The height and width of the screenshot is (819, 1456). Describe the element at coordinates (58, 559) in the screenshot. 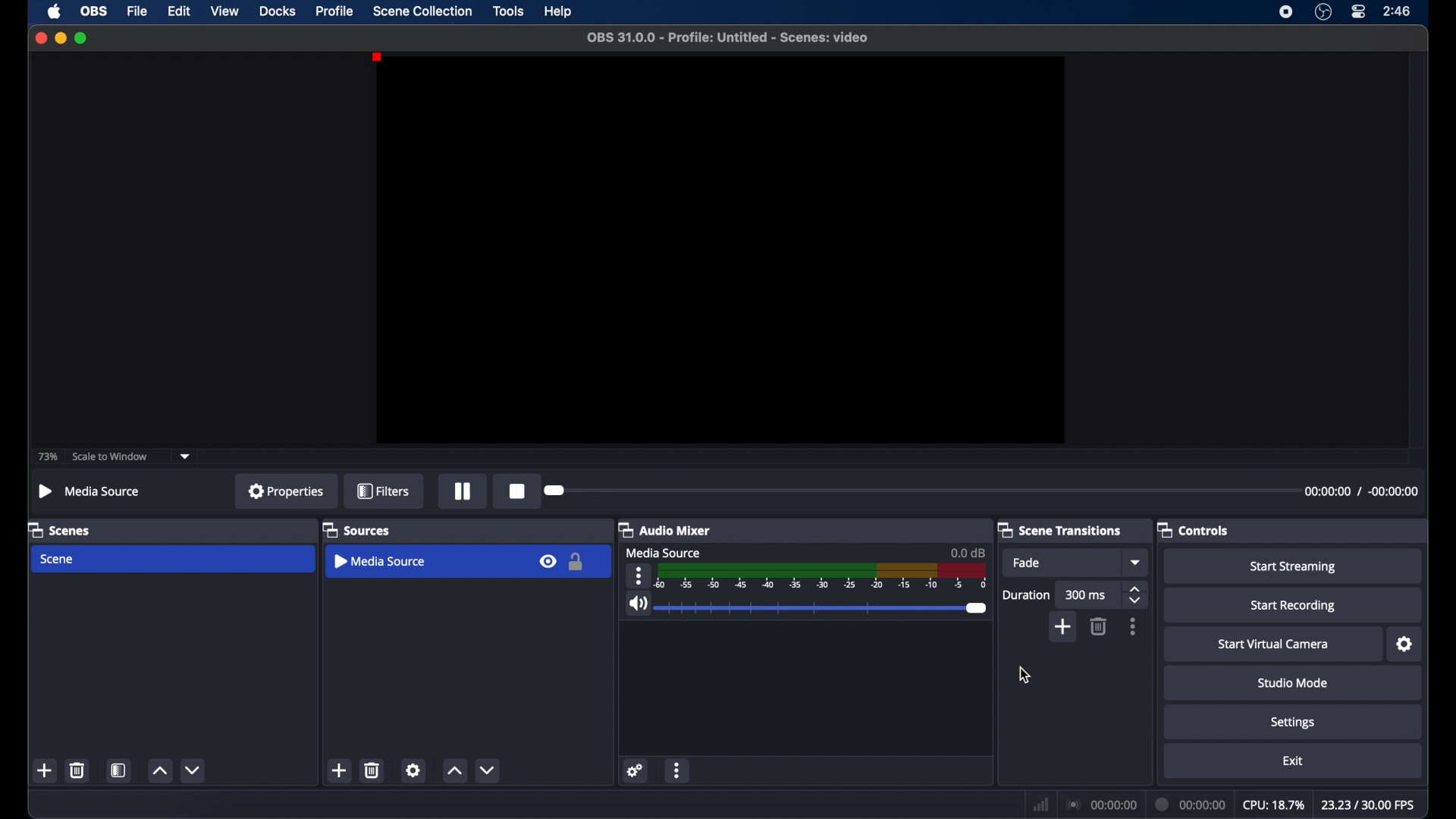

I see `scene` at that location.